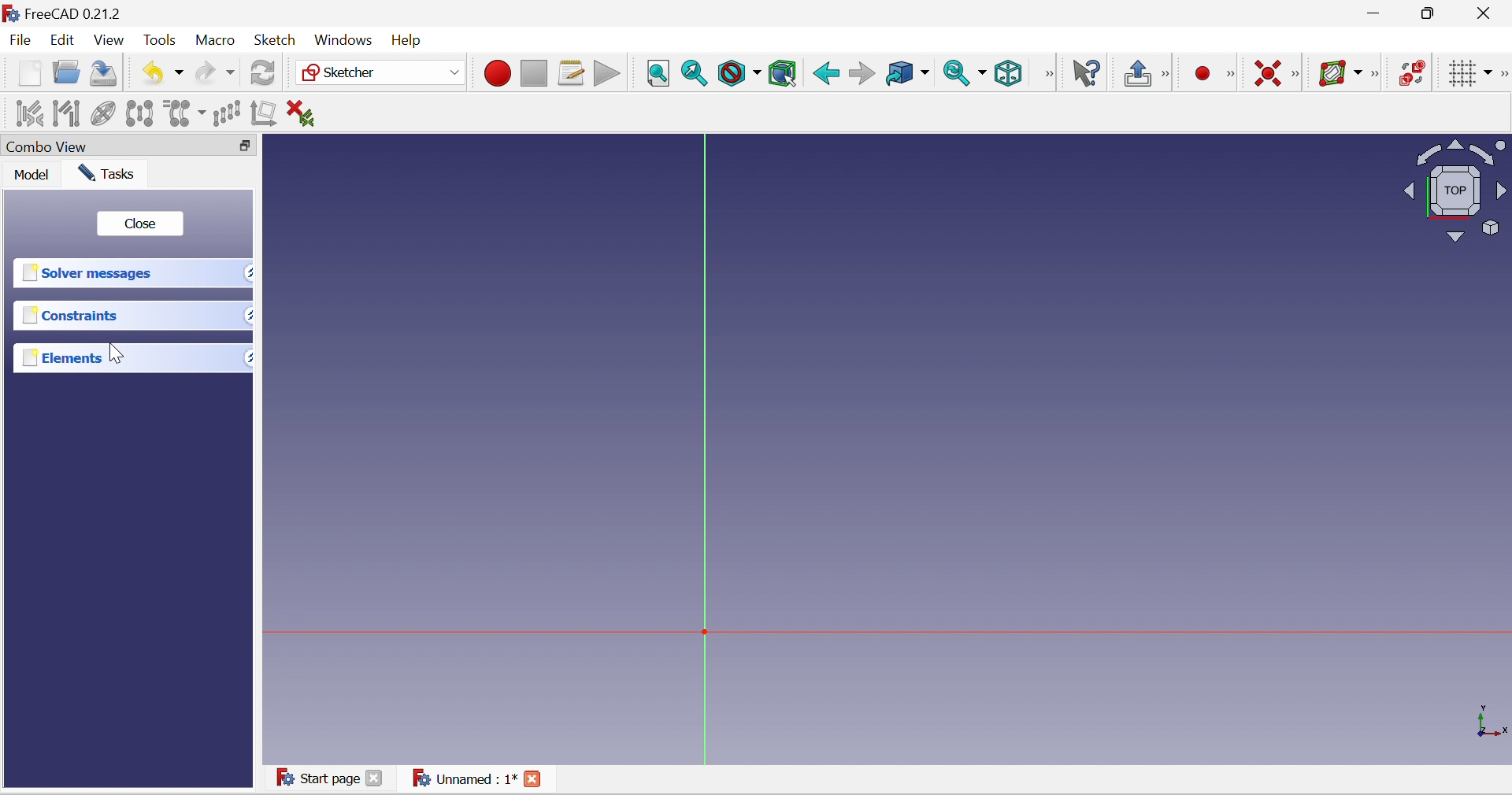  I want to click on Minimize, so click(1374, 15).